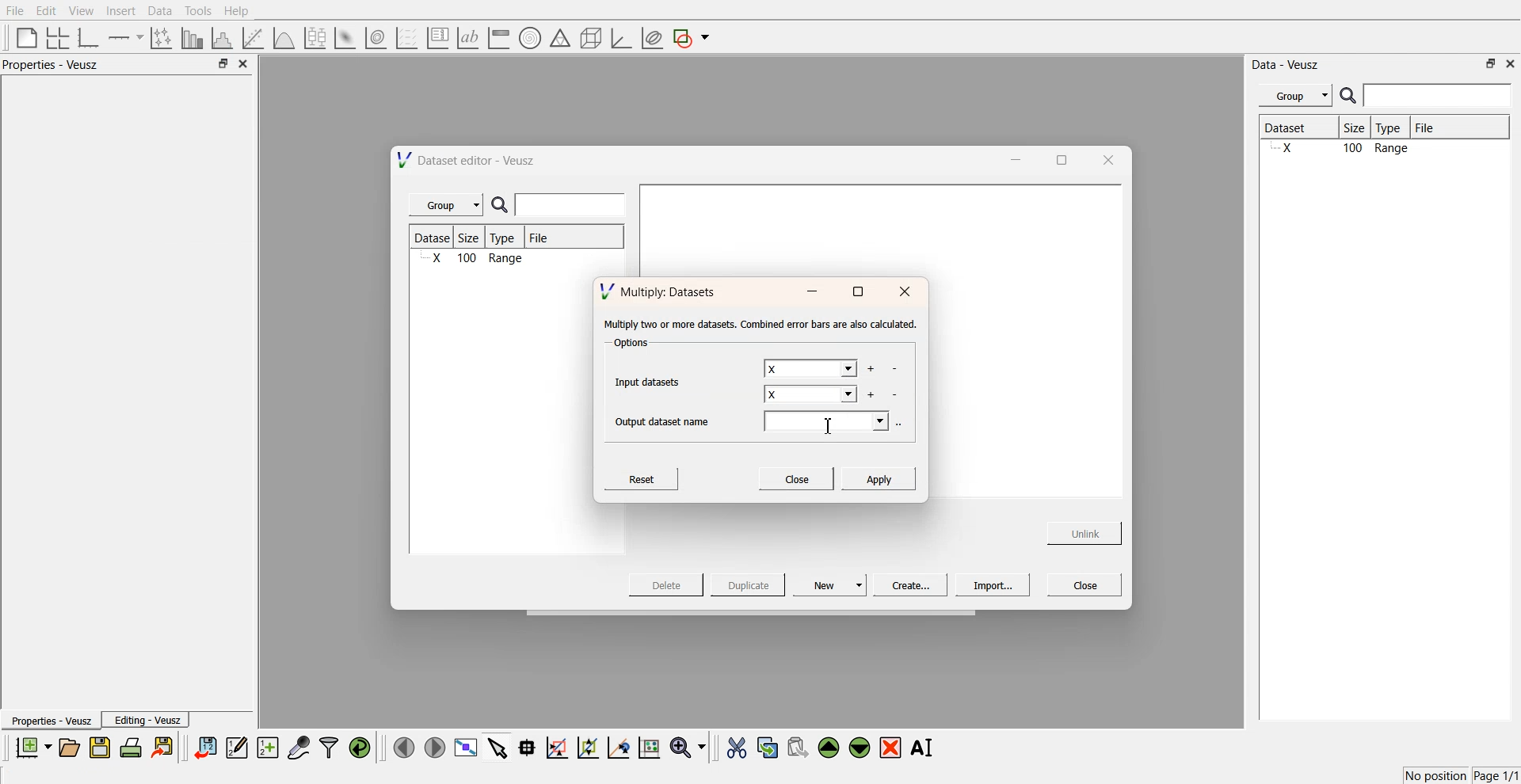 The image size is (1521, 784). What do you see at coordinates (314, 36) in the screenshot?
I see `plot a boxplot` at bounding box center [314, 36].